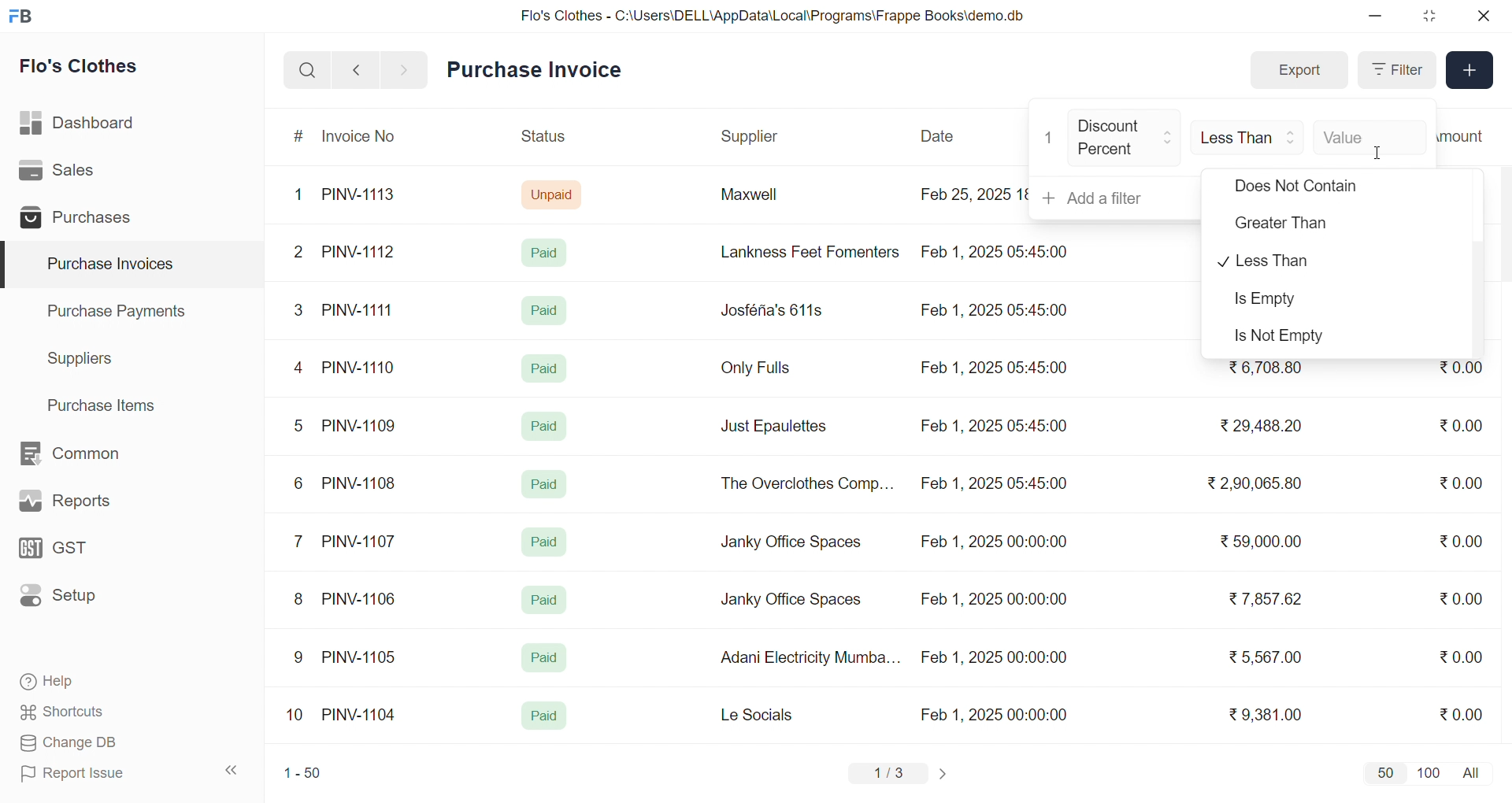 The width and height of the screenshot is (1512, 803). What do you see at coordinates (548, 252) in the screenshot?
I see `Paid` at bounding box center [548, 252].